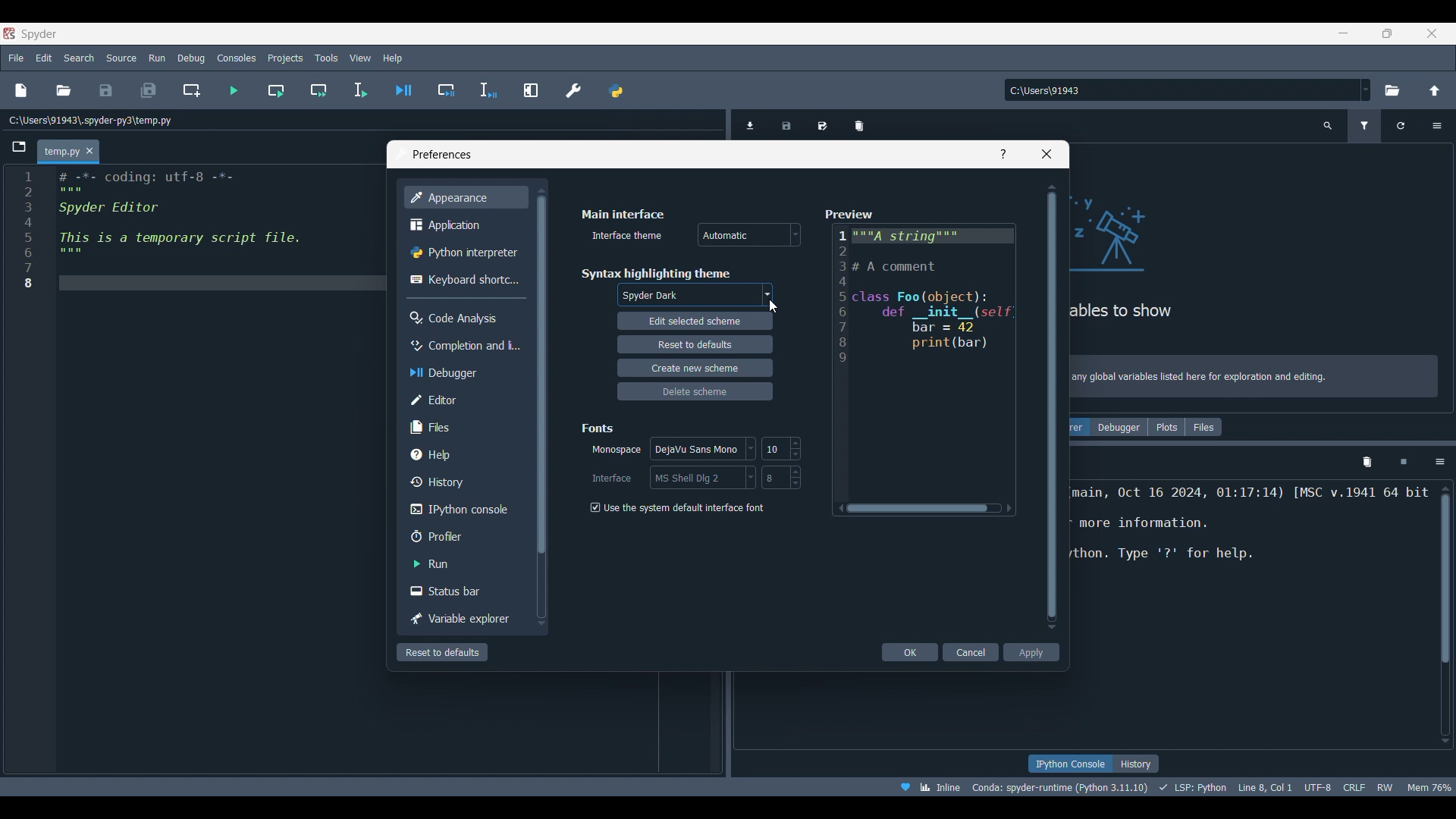 The image size is (1456, 819). I want to click on interpreter, so click(1057, 787).